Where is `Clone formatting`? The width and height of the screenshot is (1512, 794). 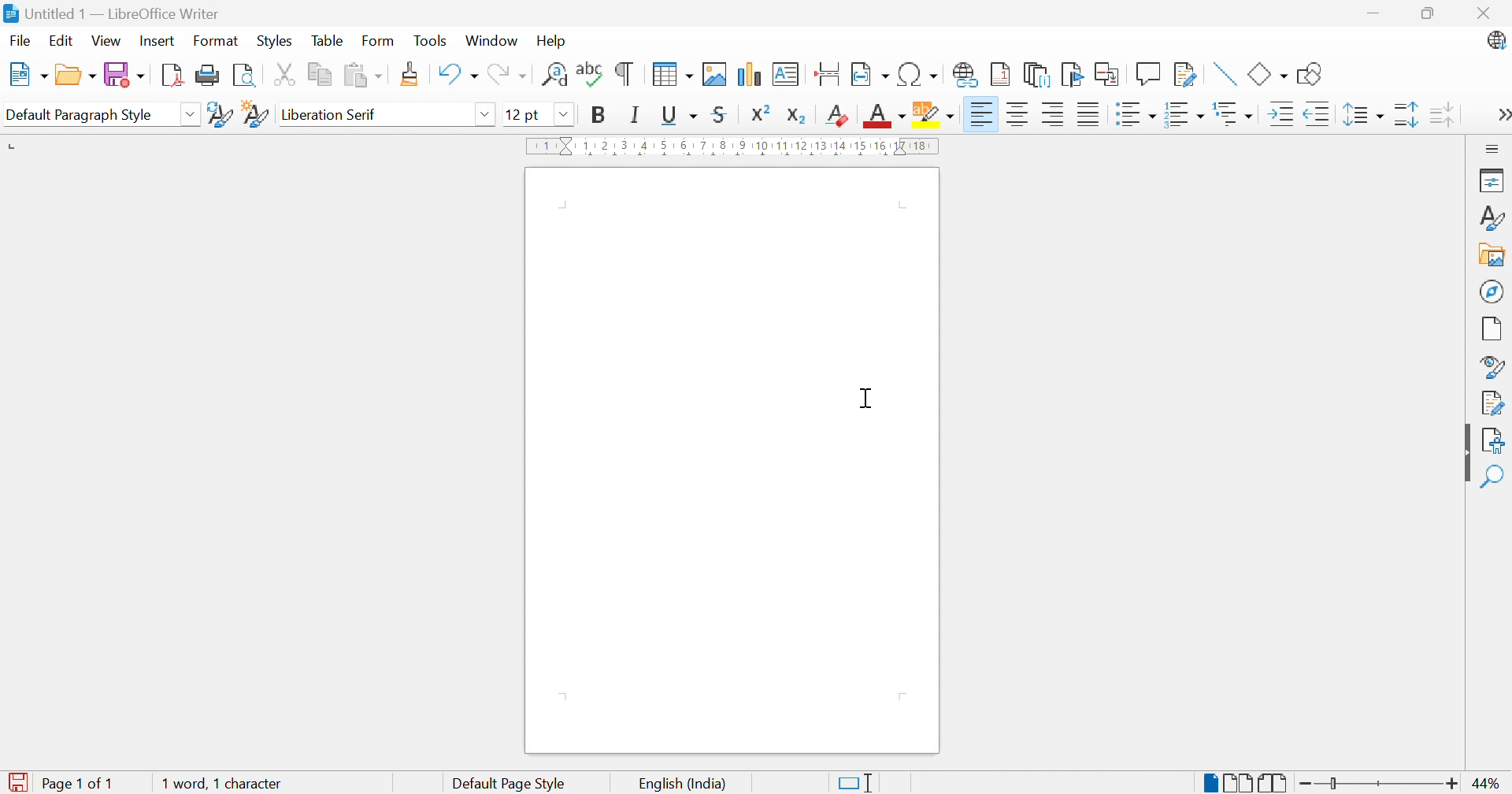 Clone formatting is located at coordinates (411, 75).